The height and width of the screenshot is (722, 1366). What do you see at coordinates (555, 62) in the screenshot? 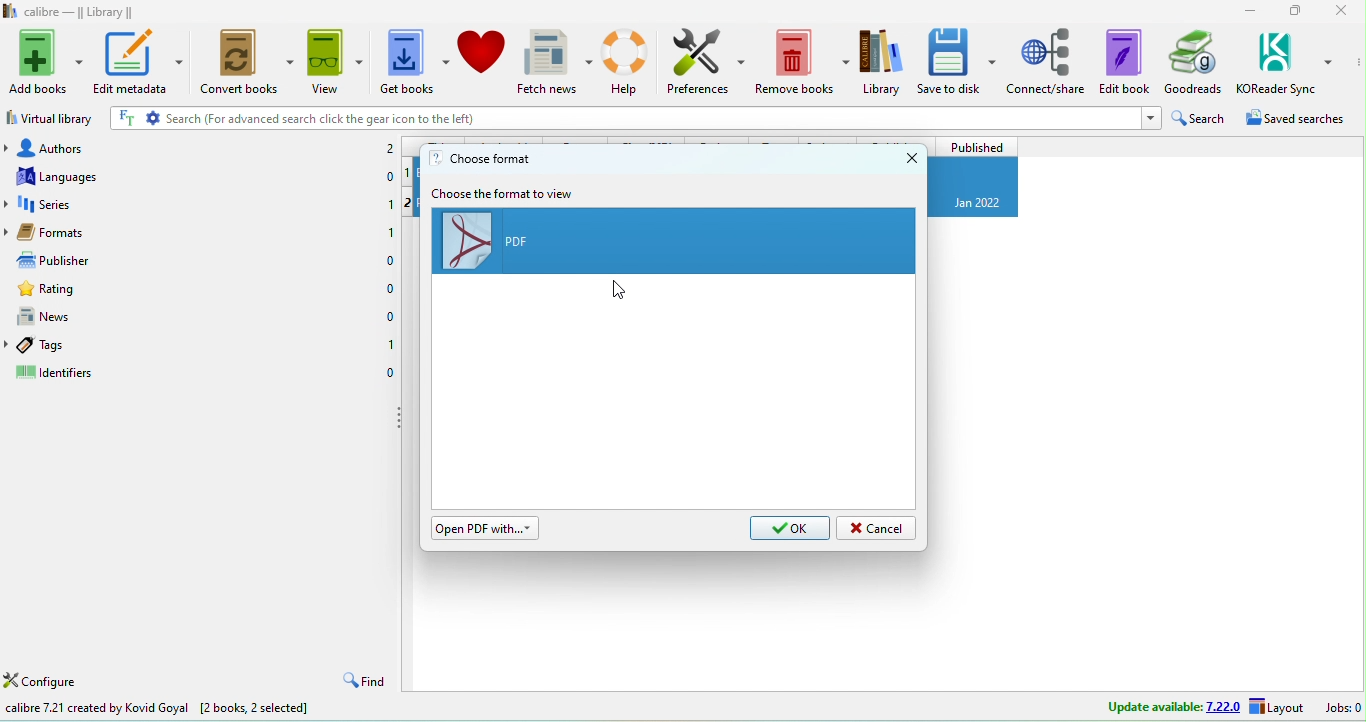
I see `Fetch news` at bounding box center [555, 62].